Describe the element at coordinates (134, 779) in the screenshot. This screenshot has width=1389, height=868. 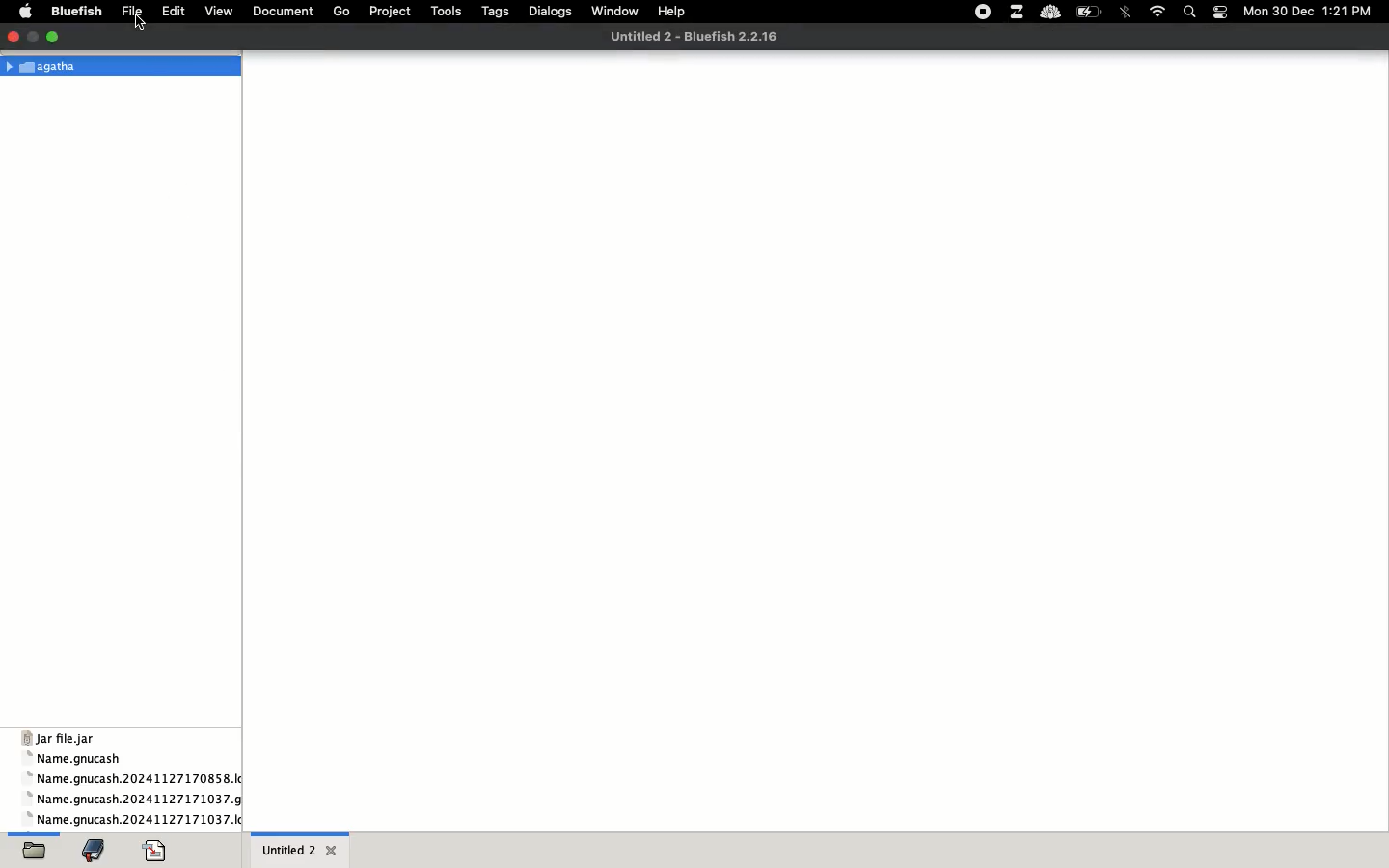
I see `name gnucash` at that location.